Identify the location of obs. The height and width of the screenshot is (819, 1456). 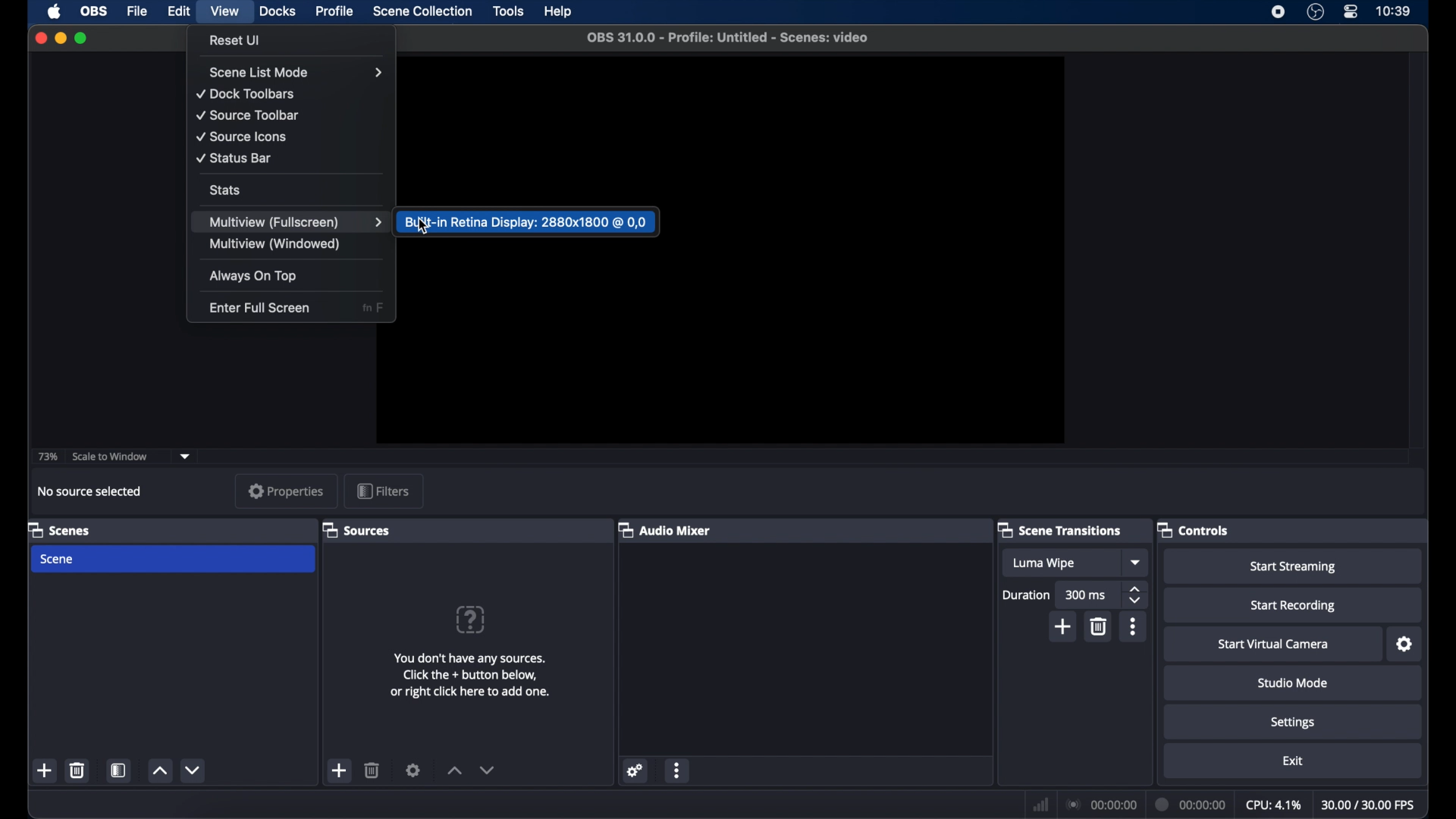
(94, 11).